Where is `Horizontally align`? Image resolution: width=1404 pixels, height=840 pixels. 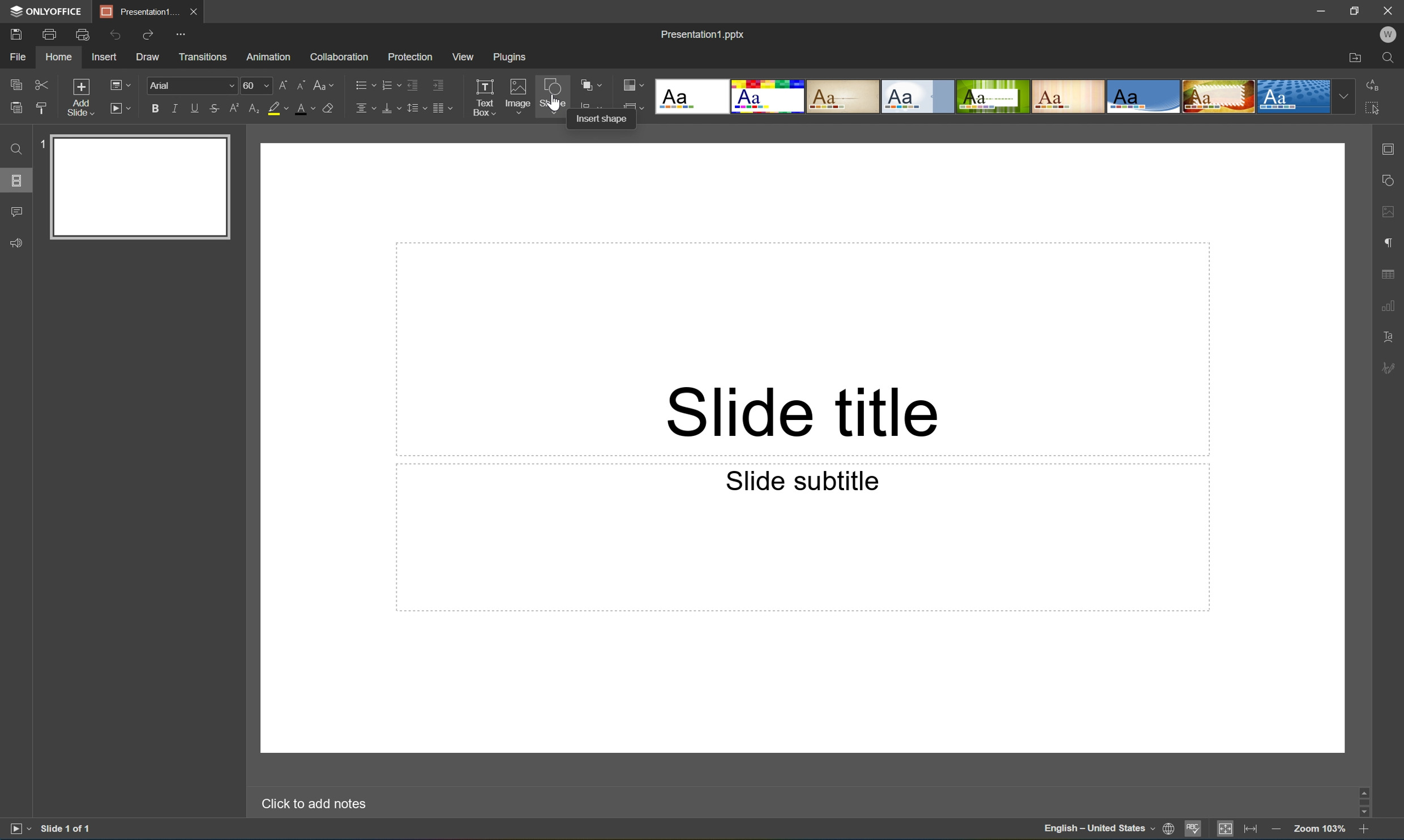 Horizontally align is located at coordinates (363, 108).